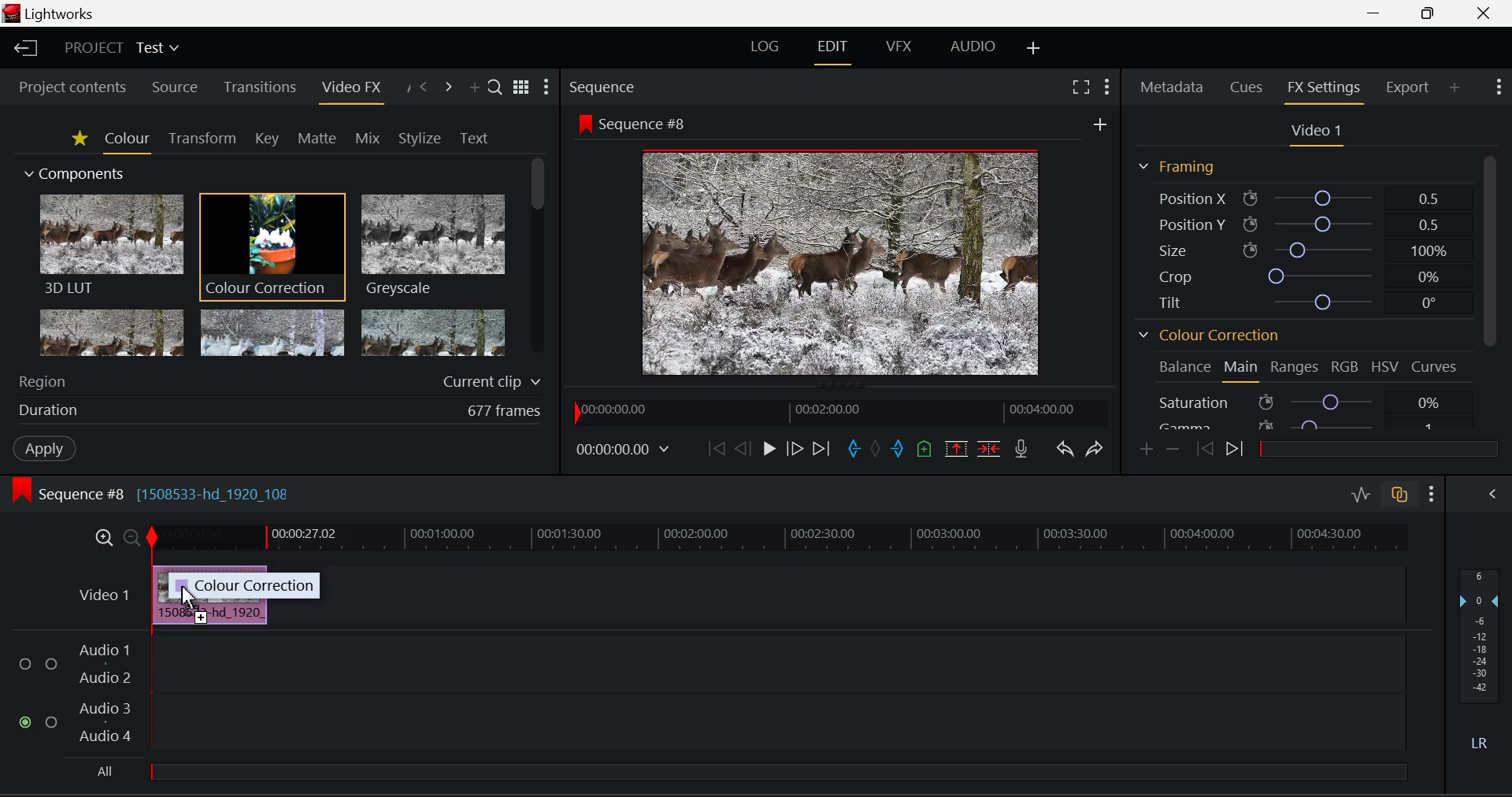  I want to click on Crop, so click(1296, 275).